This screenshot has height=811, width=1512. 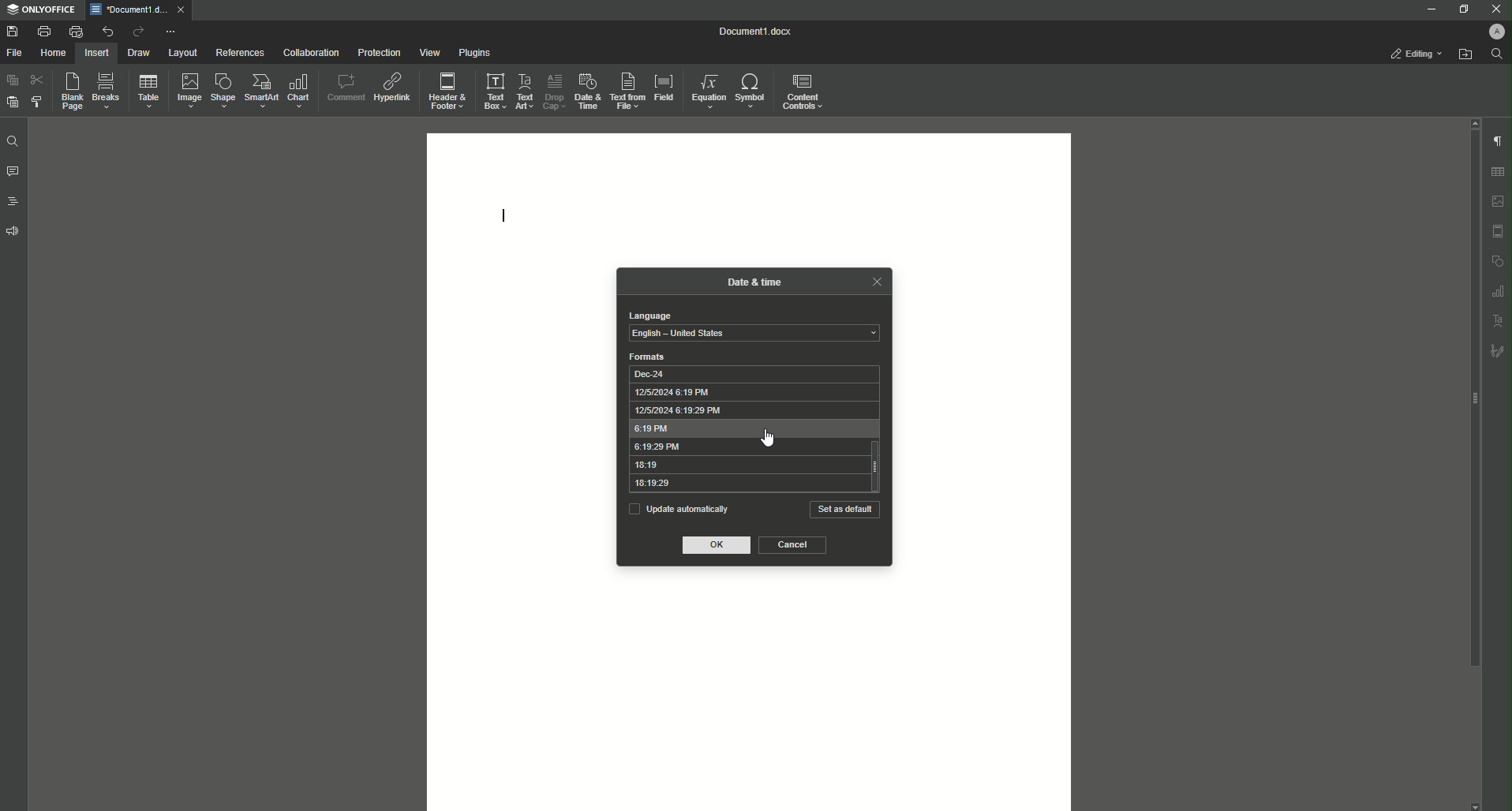 I want to click on File, so click(x=17, y=53).